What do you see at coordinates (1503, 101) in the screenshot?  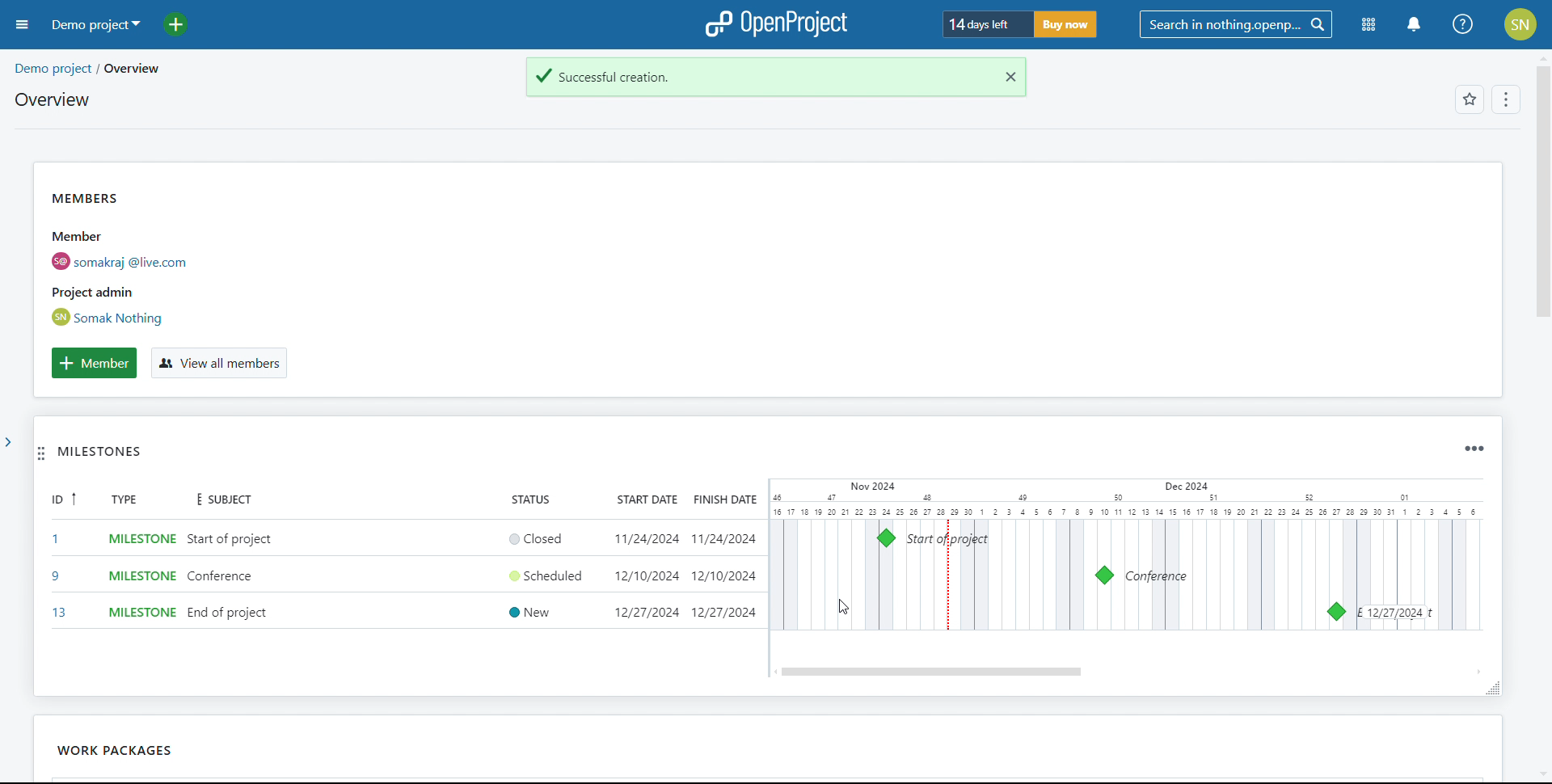 I see `options` at bounding box center [1503, 101].